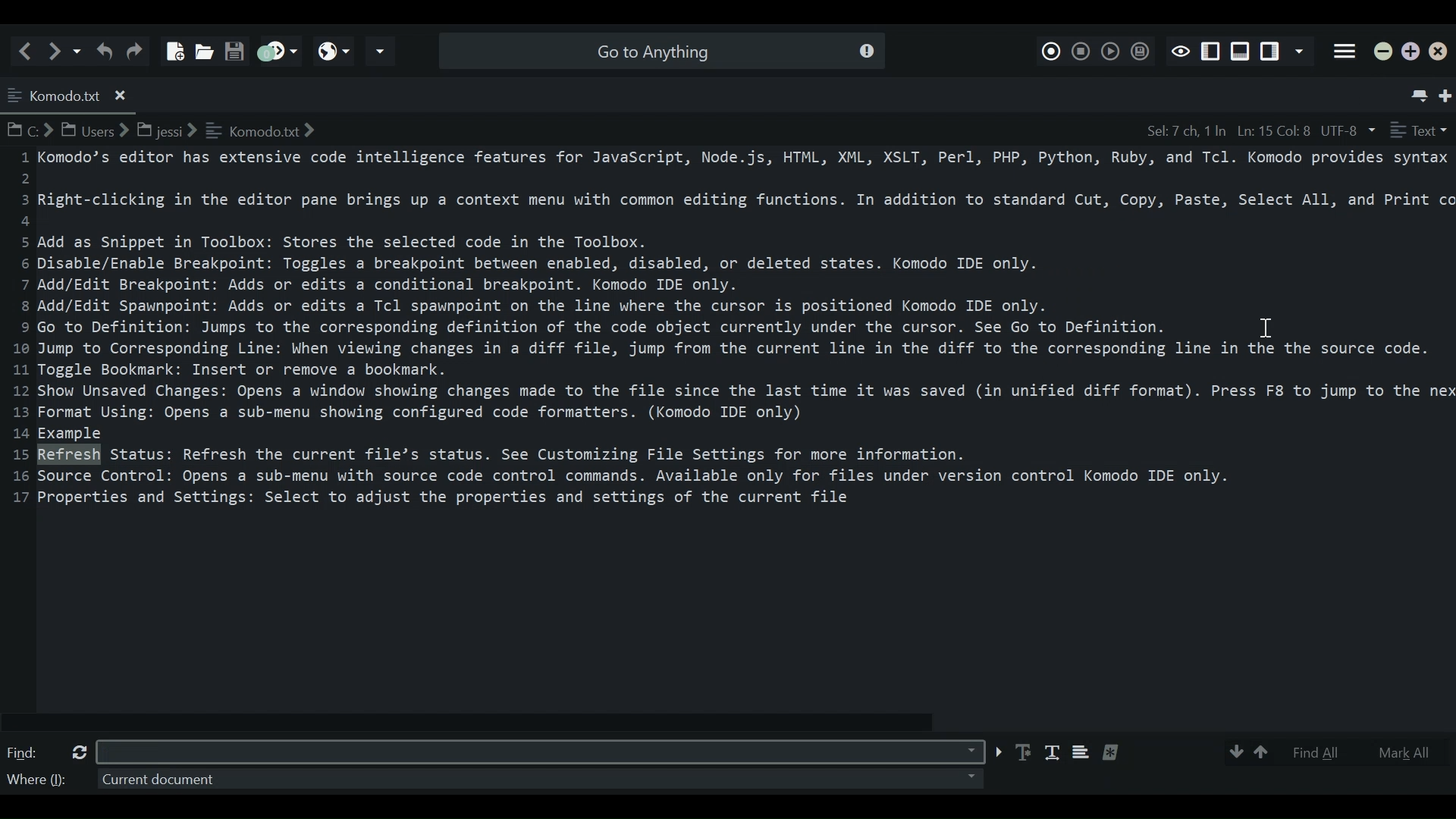 The height and width of the screenshot is (819, 1456). Describe the element at coordinates (1349, 130) in the screenshot. I see `File Encoding` at that location.